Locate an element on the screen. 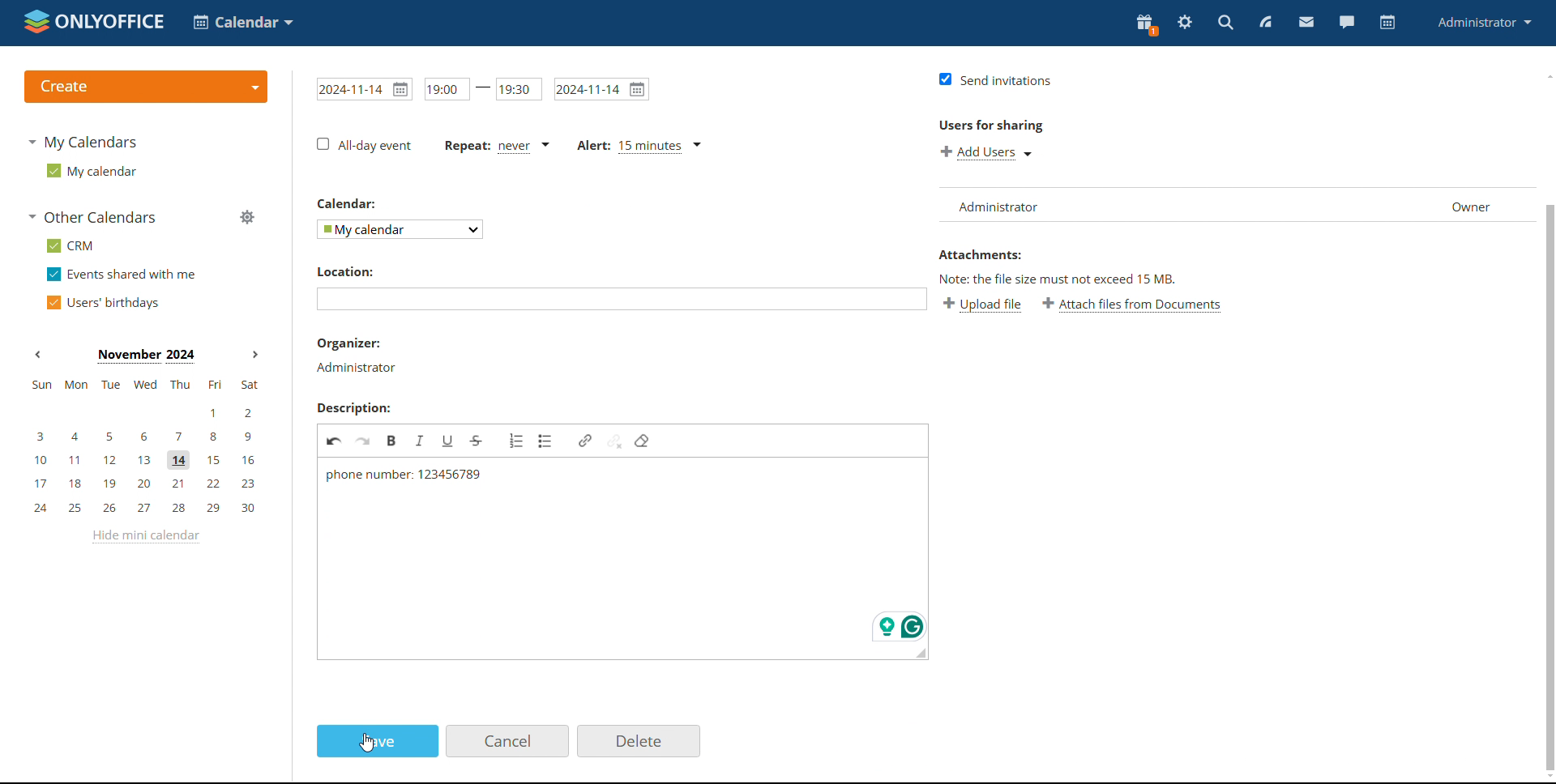 The image size is (1556, 784). cancel is located at coordinates (507, 741).